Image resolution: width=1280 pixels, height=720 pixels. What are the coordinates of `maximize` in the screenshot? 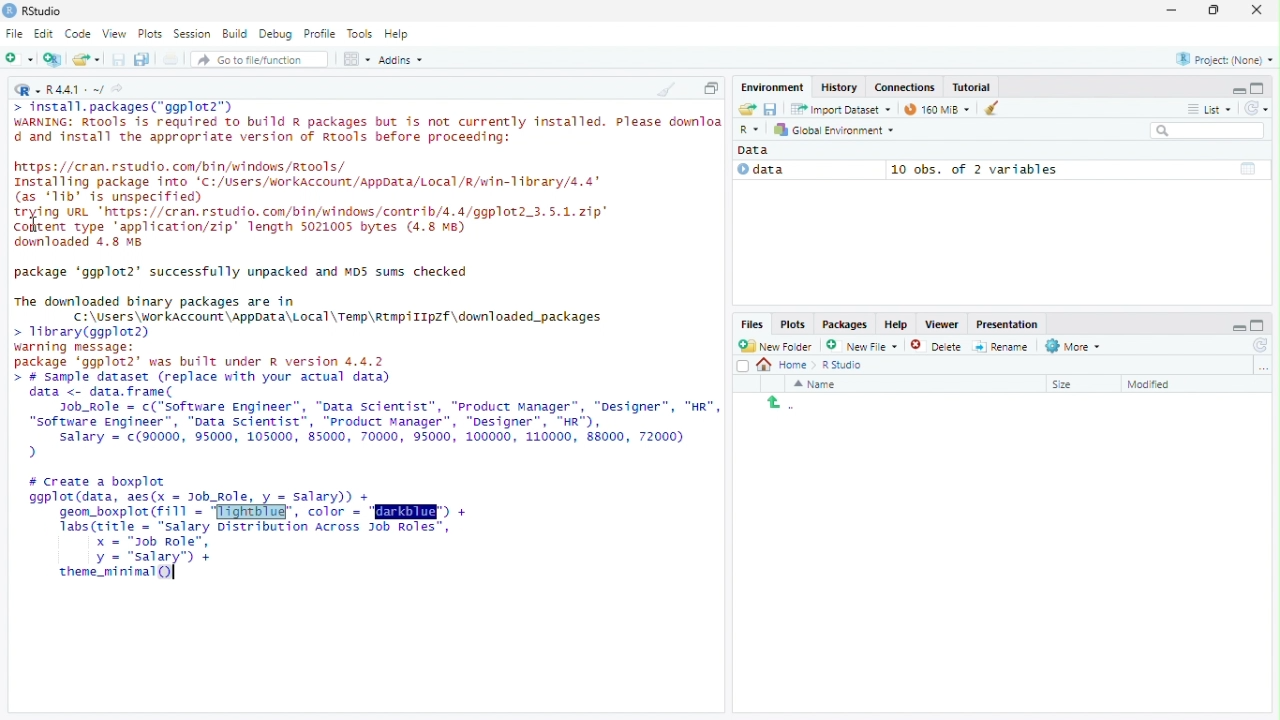 It's located at (1261, 324).